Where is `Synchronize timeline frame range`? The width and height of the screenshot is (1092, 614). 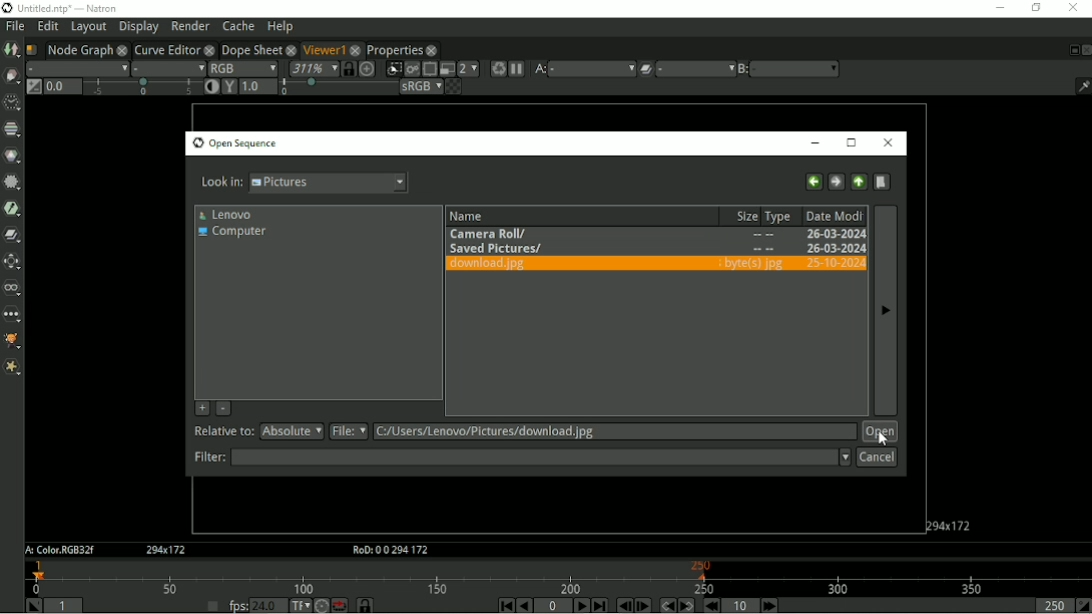 Synchronize timeline frame range is located at coordinates (364, 605).